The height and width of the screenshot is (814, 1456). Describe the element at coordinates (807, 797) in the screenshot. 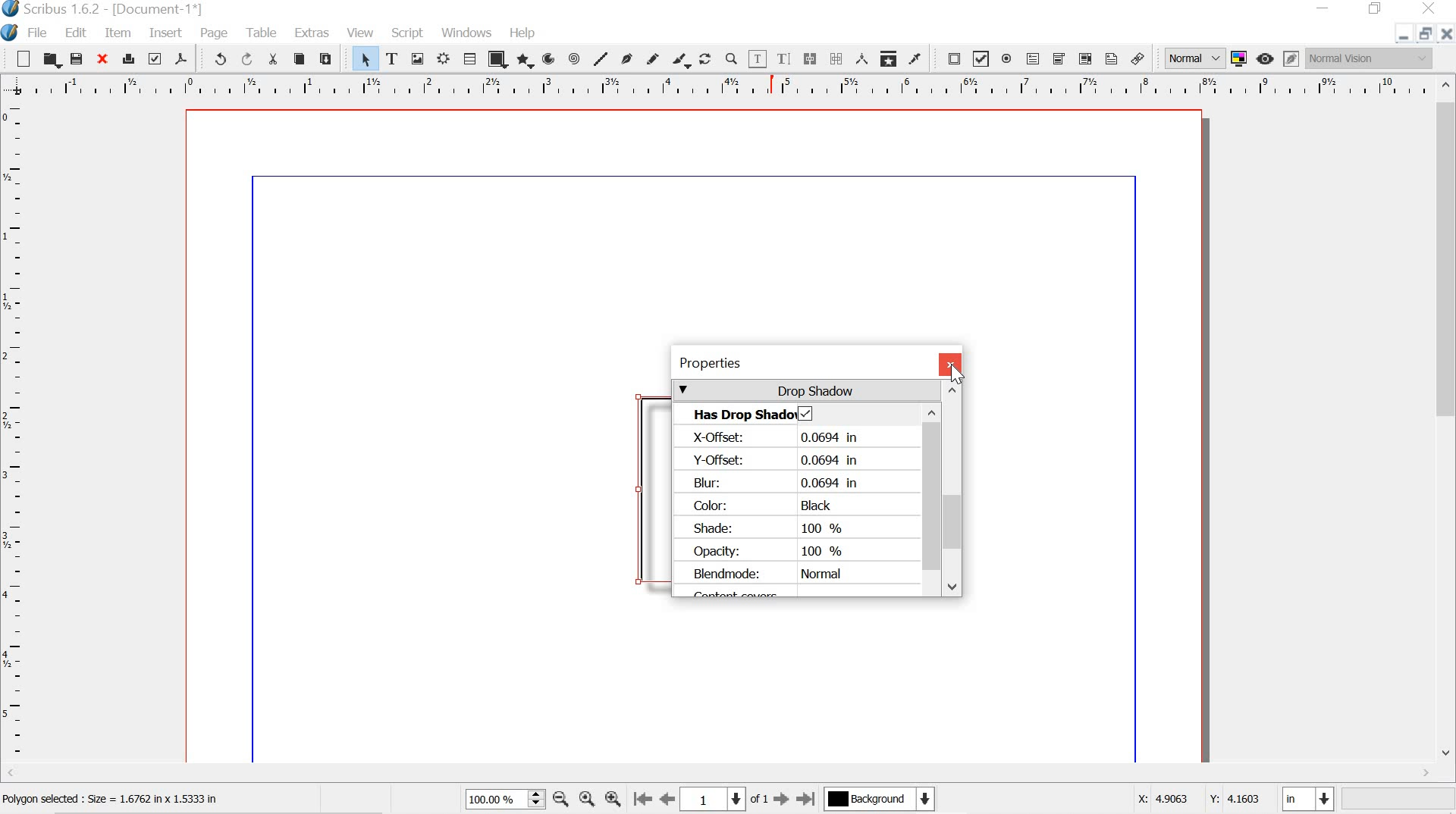

I see `go the last page` at that location.